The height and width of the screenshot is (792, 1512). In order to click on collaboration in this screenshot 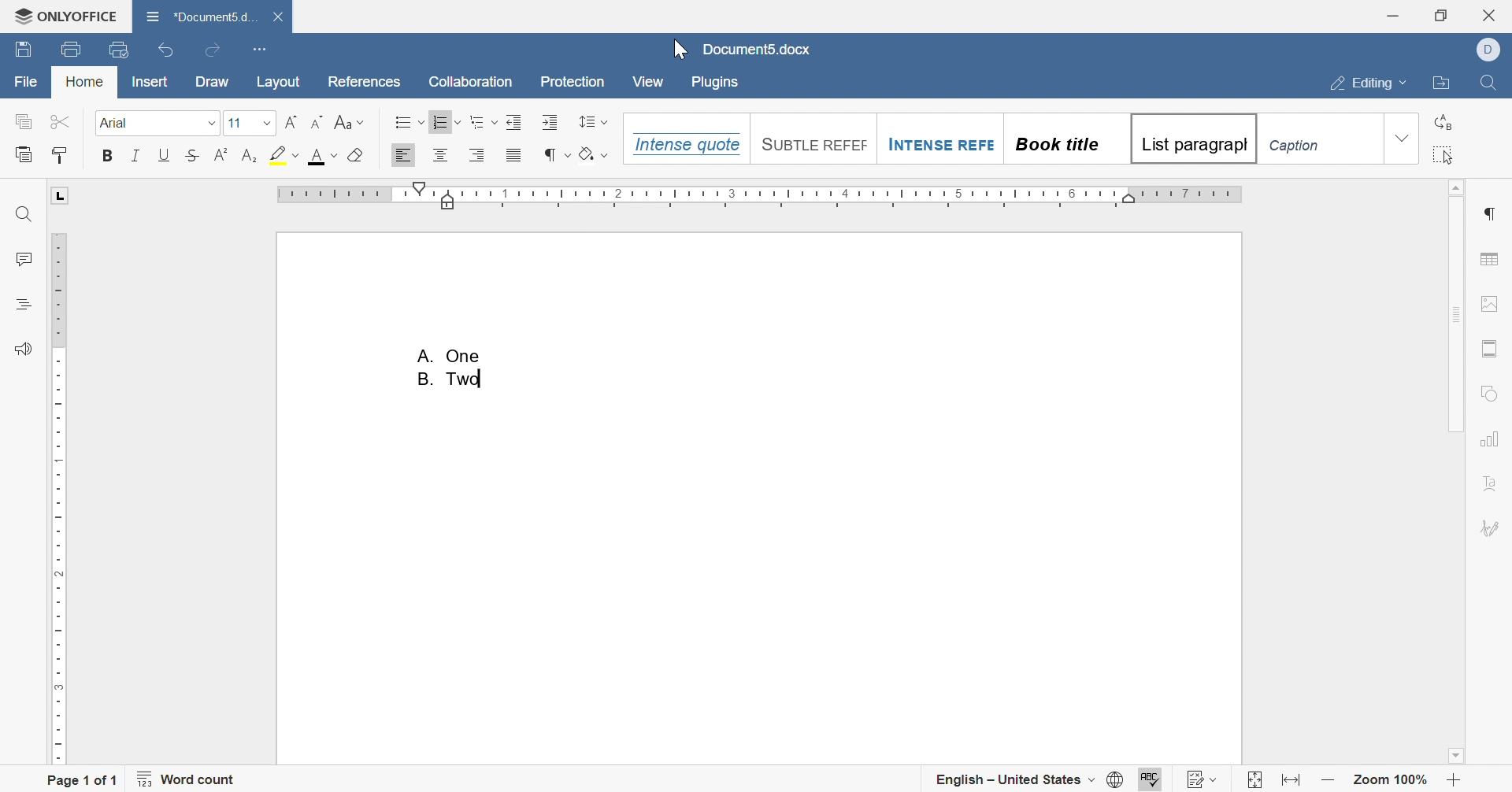, I will do `click(472, 80)`.